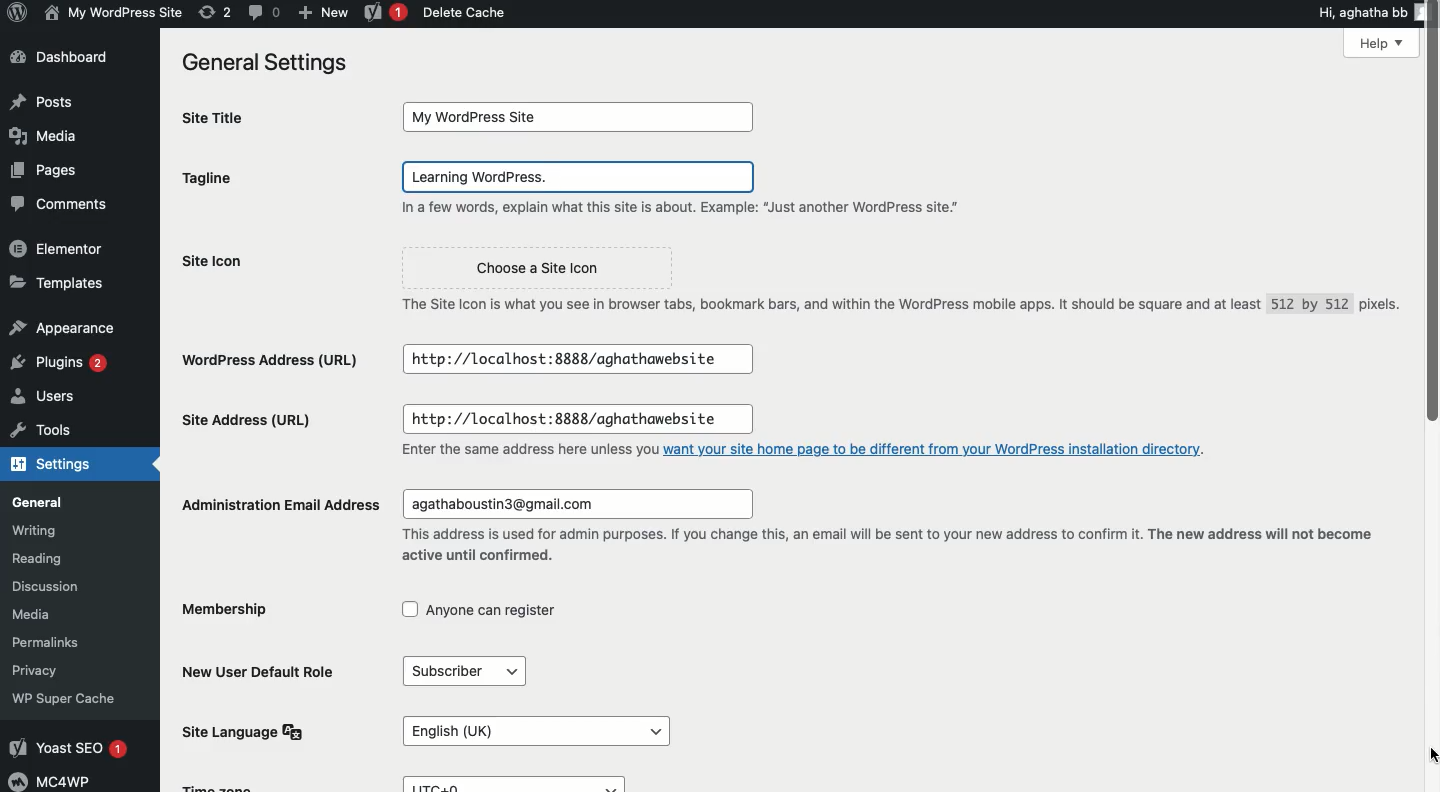 The image size is (1440, 792). Describe the element at coordinates (54, 206) in the screenshot. I see `Comment` at that location.